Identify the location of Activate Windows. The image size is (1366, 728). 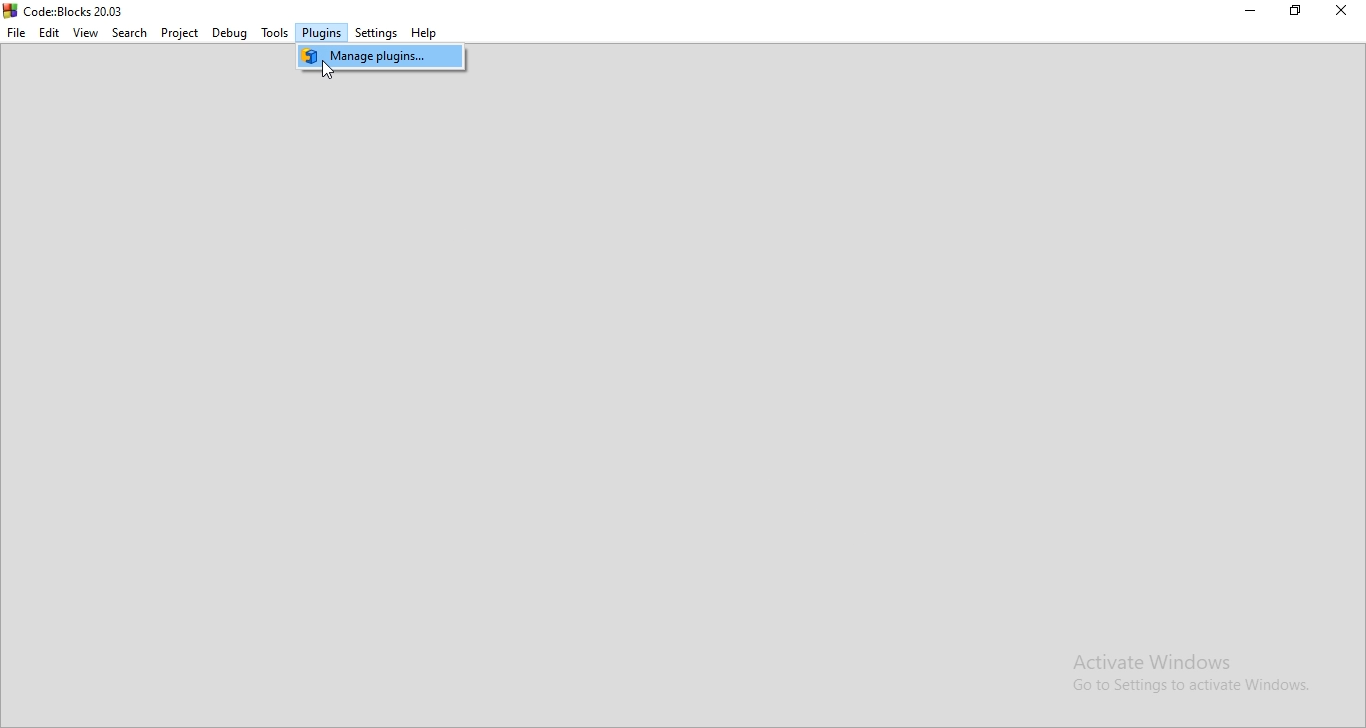
(1182, 659).